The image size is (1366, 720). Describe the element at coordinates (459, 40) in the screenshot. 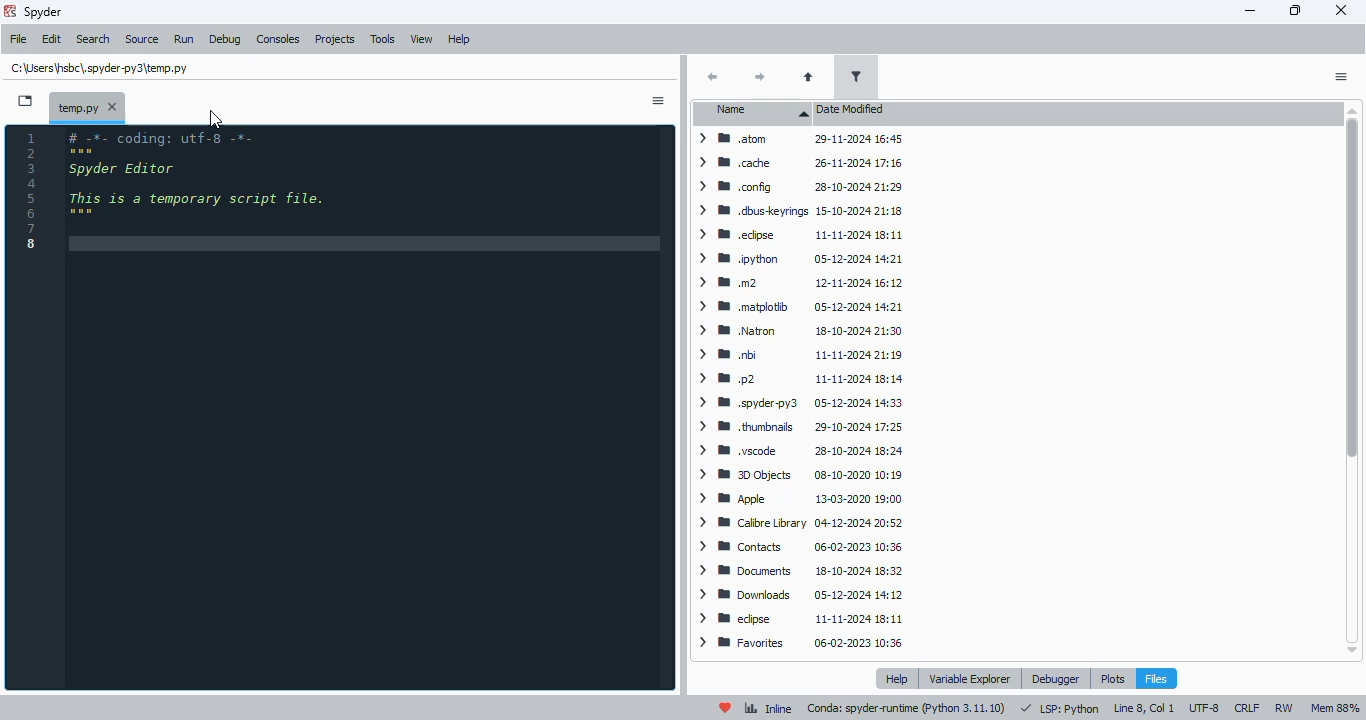

I see `help` at that location.